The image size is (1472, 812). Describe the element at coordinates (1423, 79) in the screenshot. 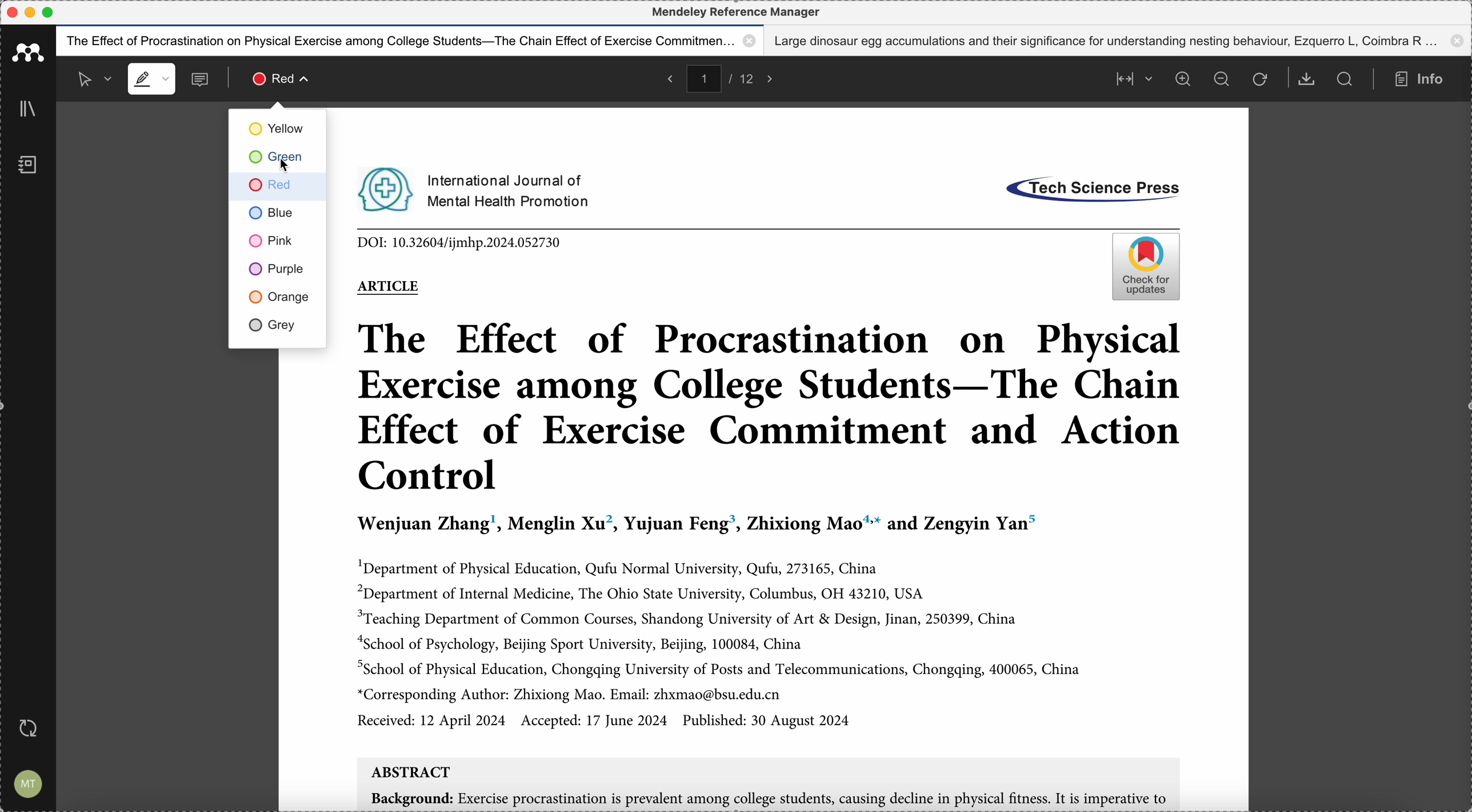

I see `info` at that location.